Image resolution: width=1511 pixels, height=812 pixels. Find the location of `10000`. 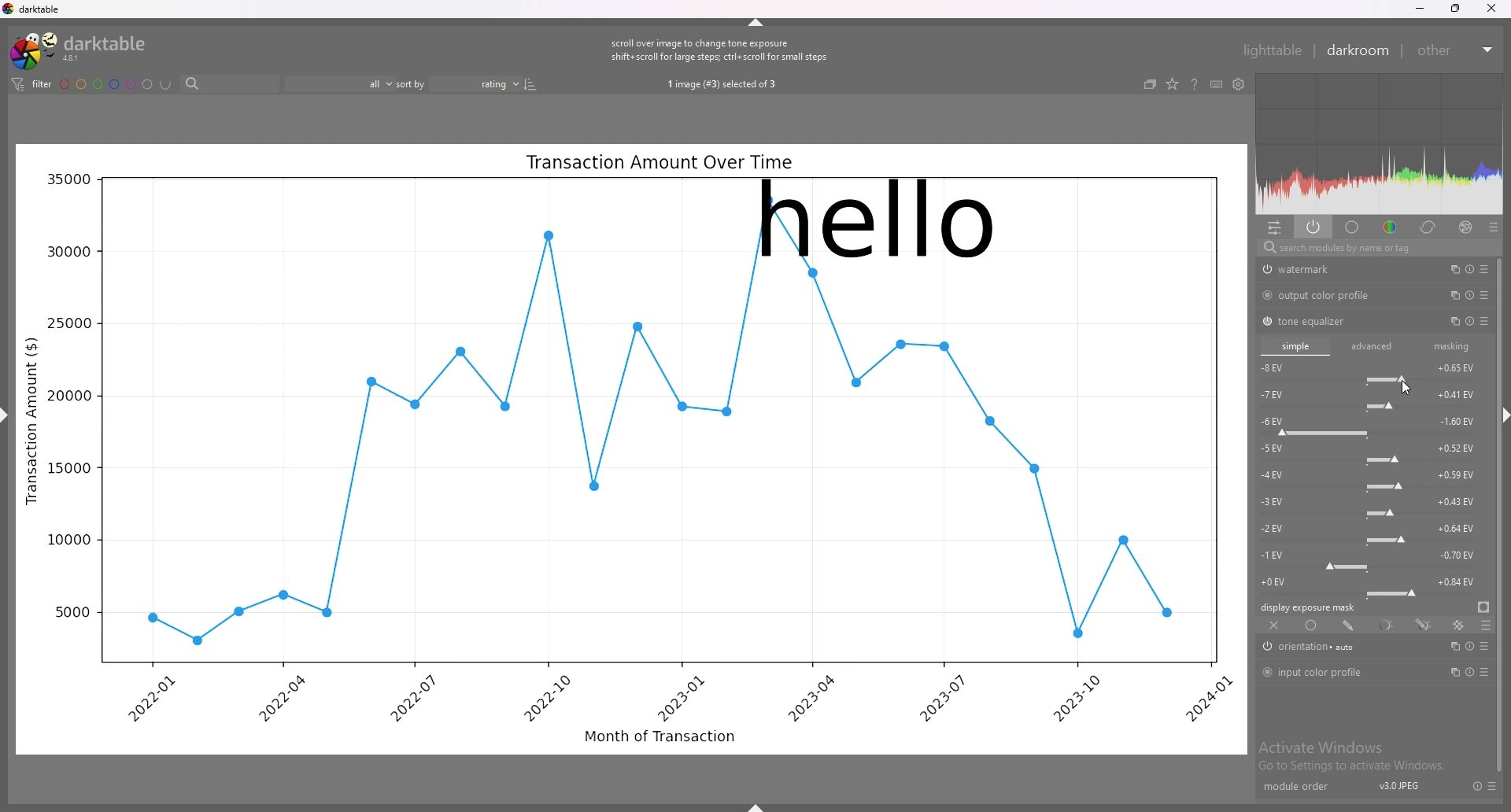

10000 is located at coordinates (66, 540).